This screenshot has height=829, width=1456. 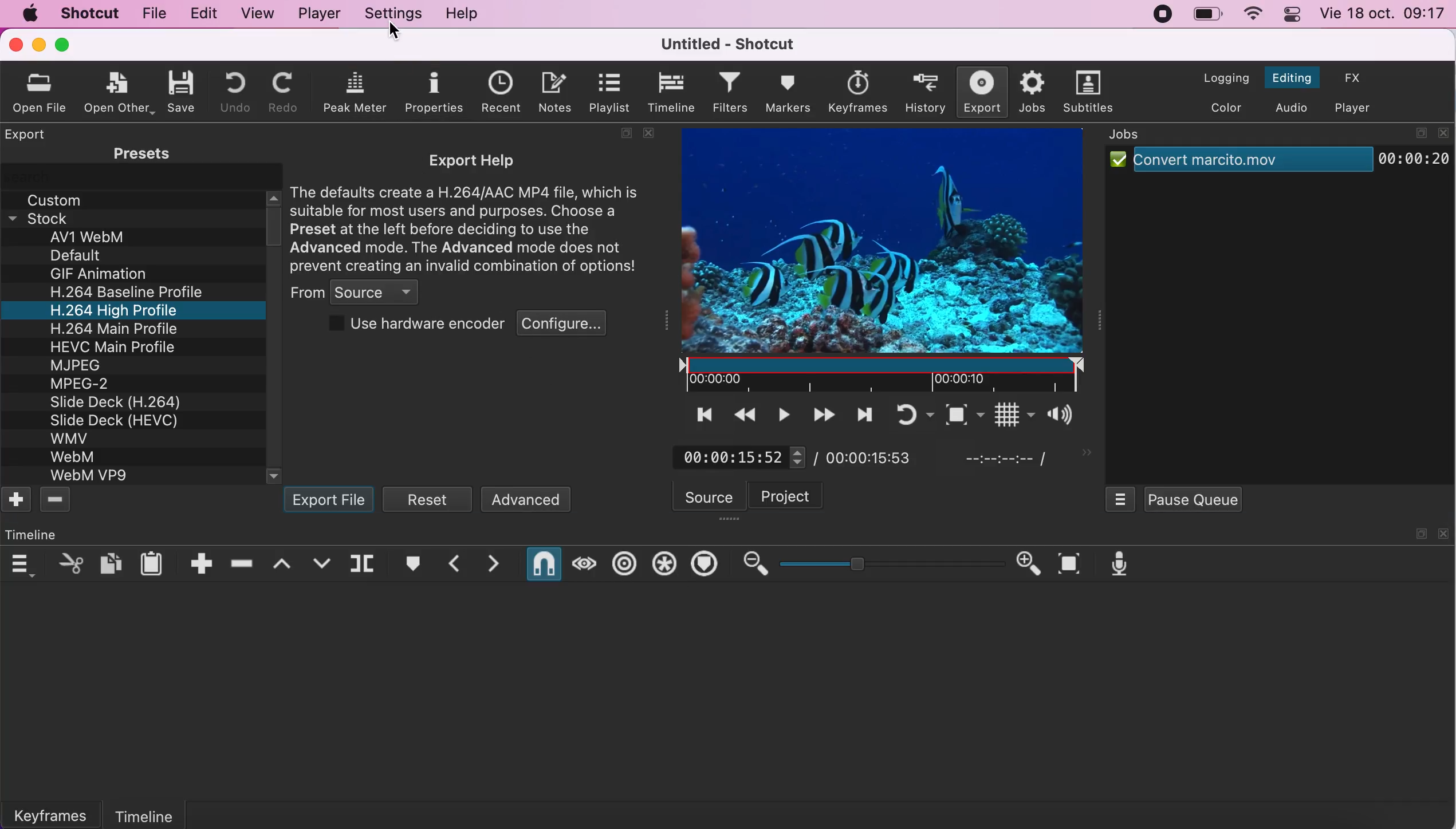 What do you see at coordinates (360, 293) in the screenshot?
I see `from source` at bounding box center [360, 293].